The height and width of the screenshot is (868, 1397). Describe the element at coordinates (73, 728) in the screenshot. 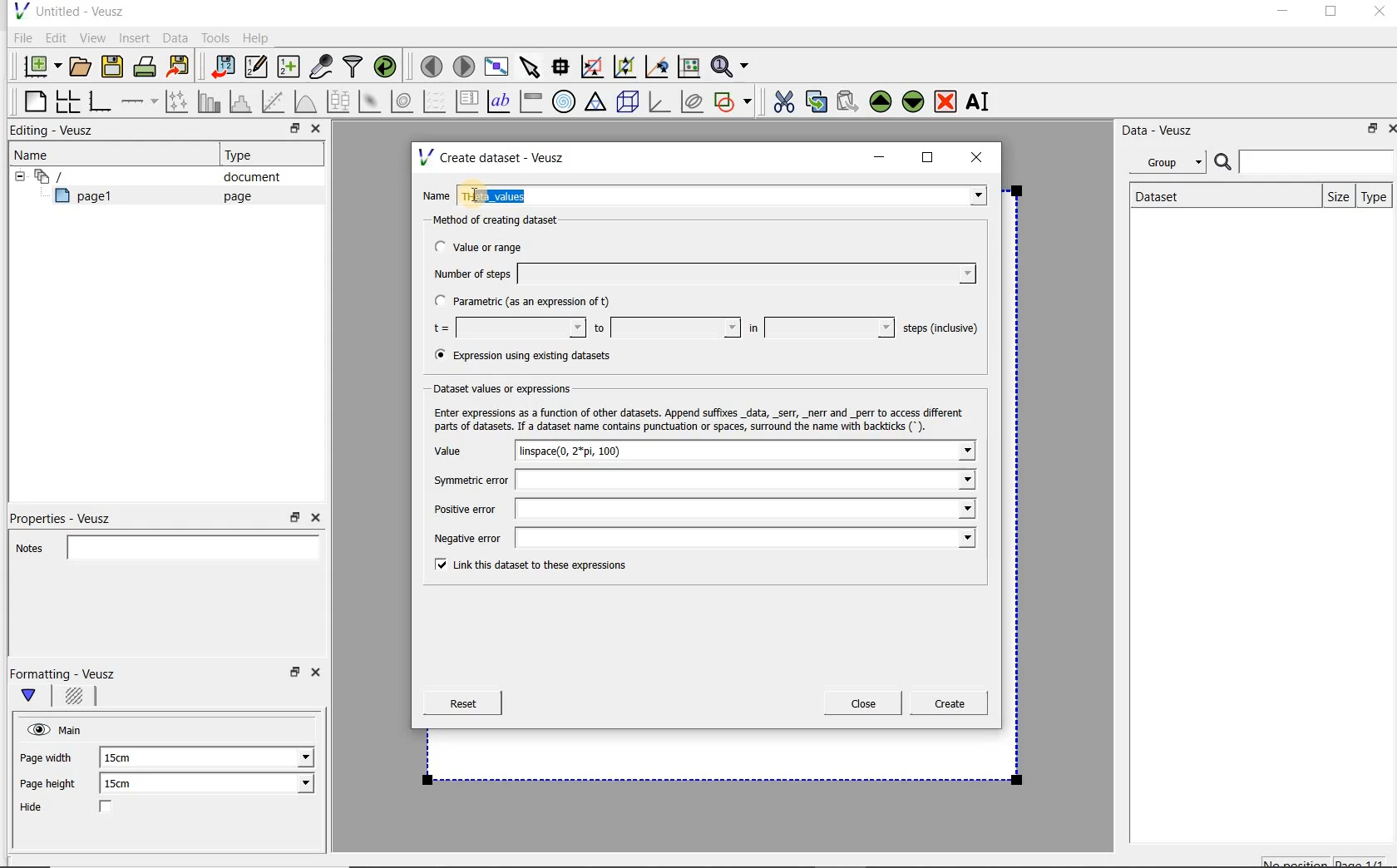

I see `Main` at that location.